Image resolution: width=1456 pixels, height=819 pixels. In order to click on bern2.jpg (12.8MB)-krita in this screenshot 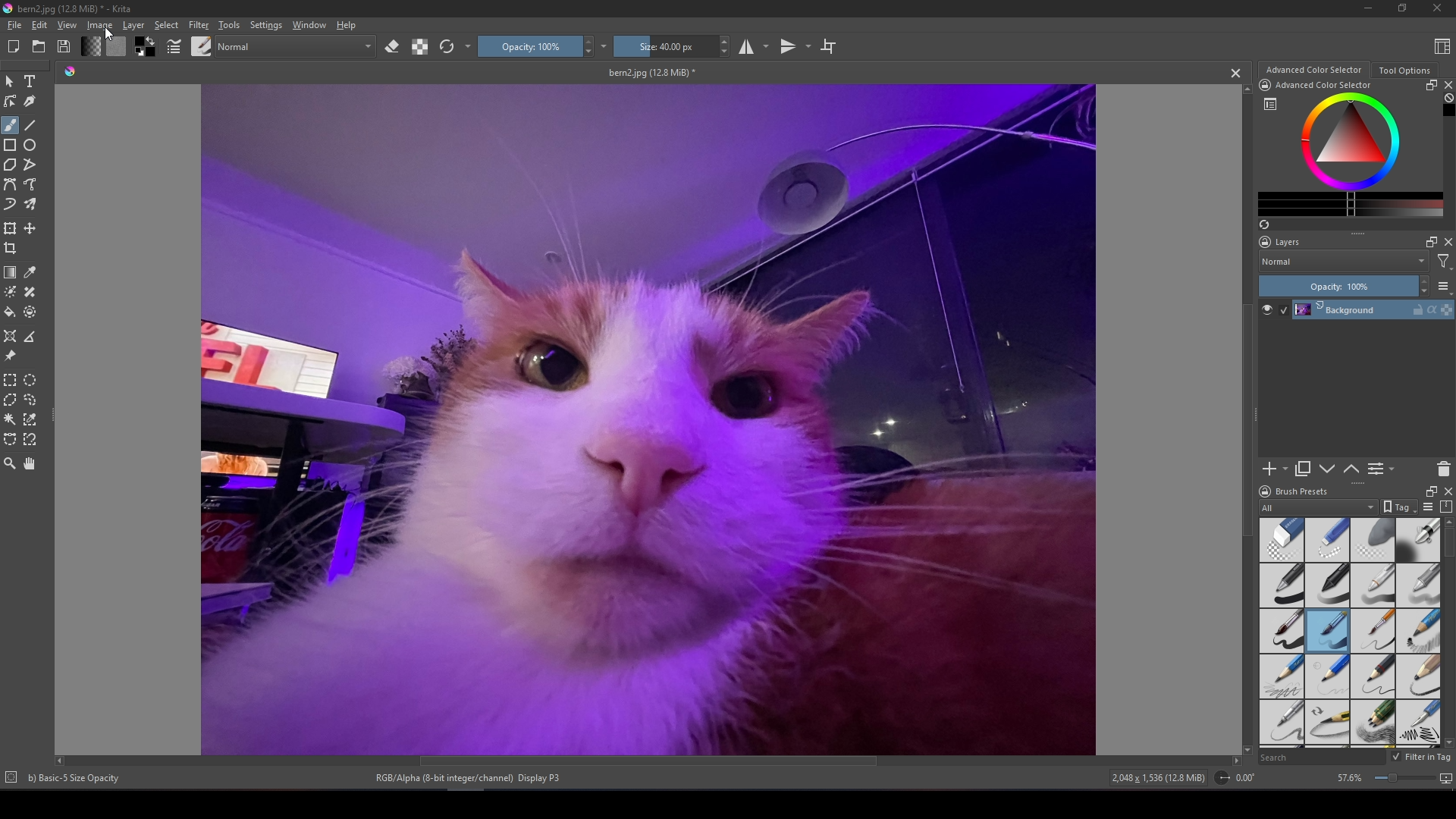, I will do `click(67, 9)`.